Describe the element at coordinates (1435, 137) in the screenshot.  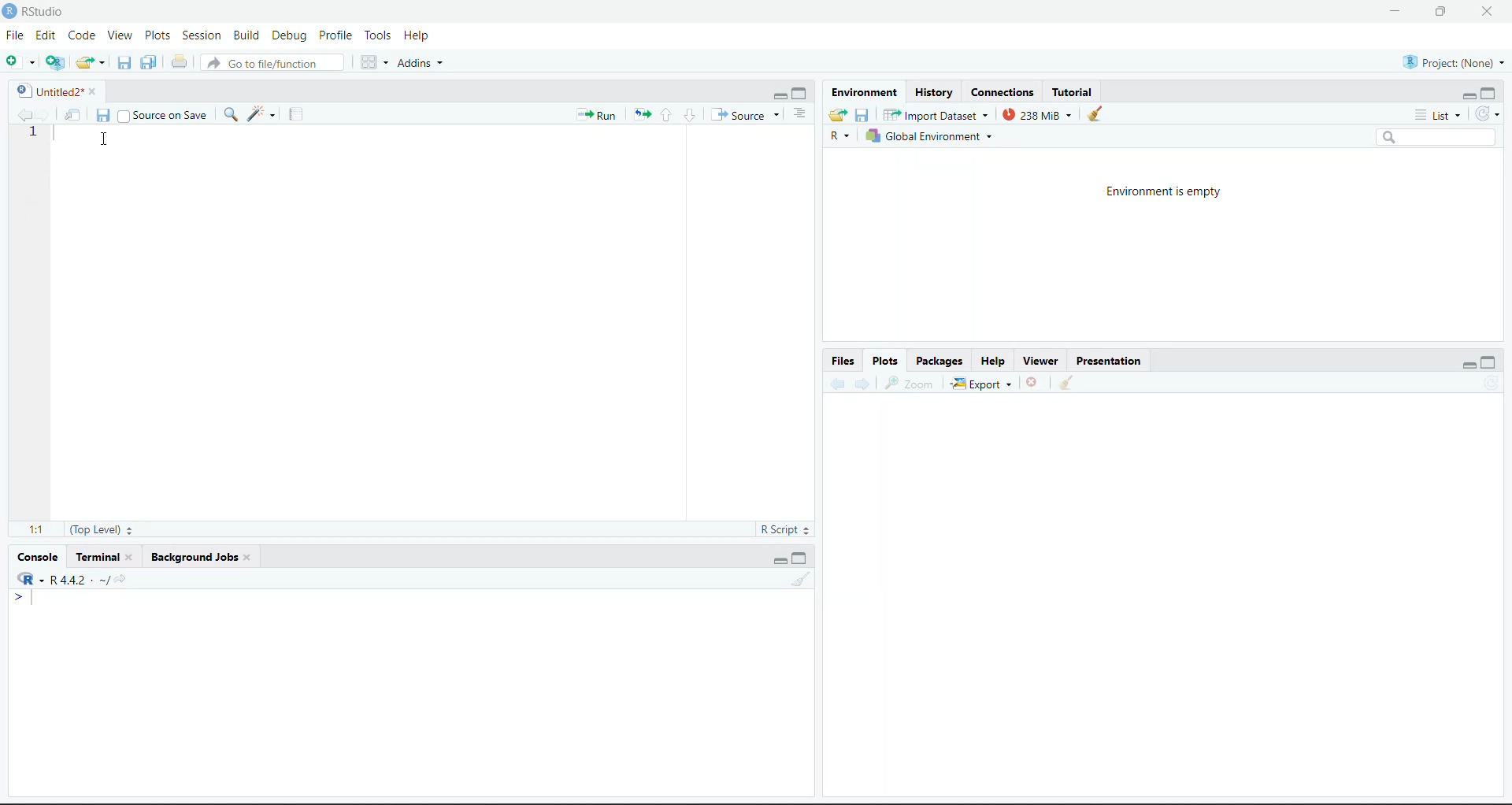
I see `search bar` at that location.